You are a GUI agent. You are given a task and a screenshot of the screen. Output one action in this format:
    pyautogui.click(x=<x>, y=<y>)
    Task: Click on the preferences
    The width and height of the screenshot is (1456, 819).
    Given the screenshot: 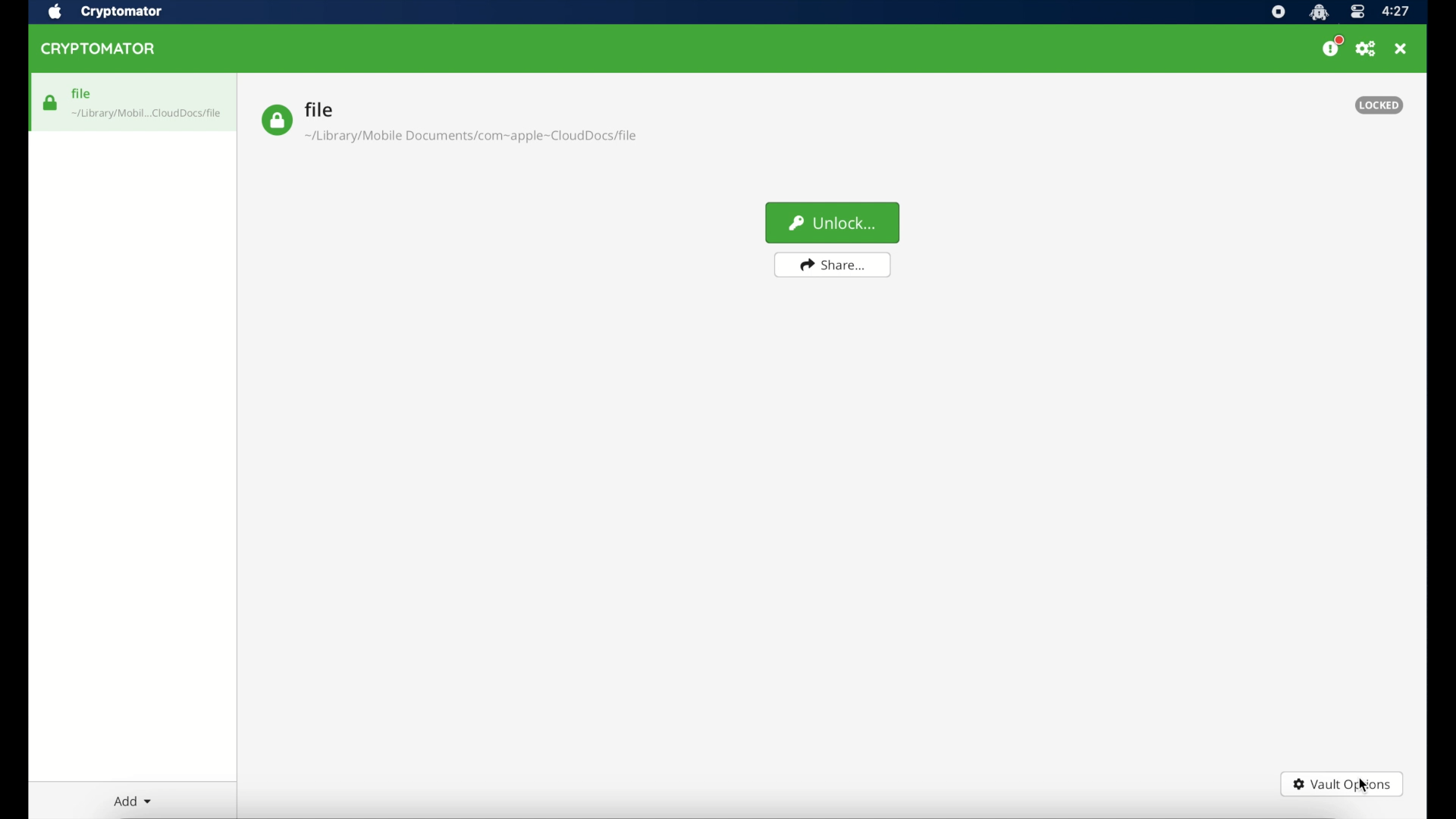 What is the action you would take?
    pyautogui.click(x=1367, y=49)
    